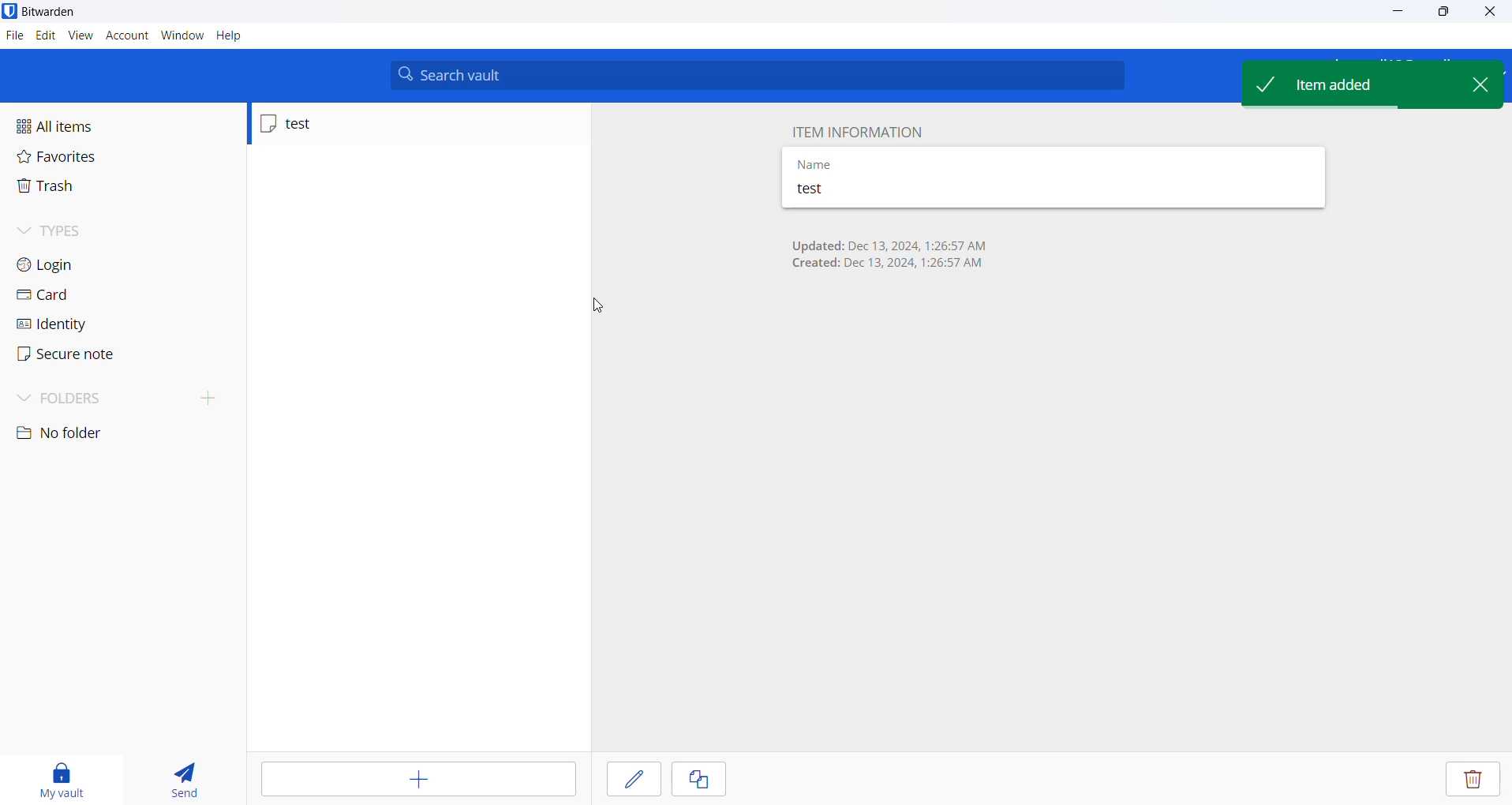 Image resolution: width=1512 pixels, height=805 pixels. What do you see at coordinates (85, 358) in the screenshot?
I see `secure note` at bounding box center [85, 358].